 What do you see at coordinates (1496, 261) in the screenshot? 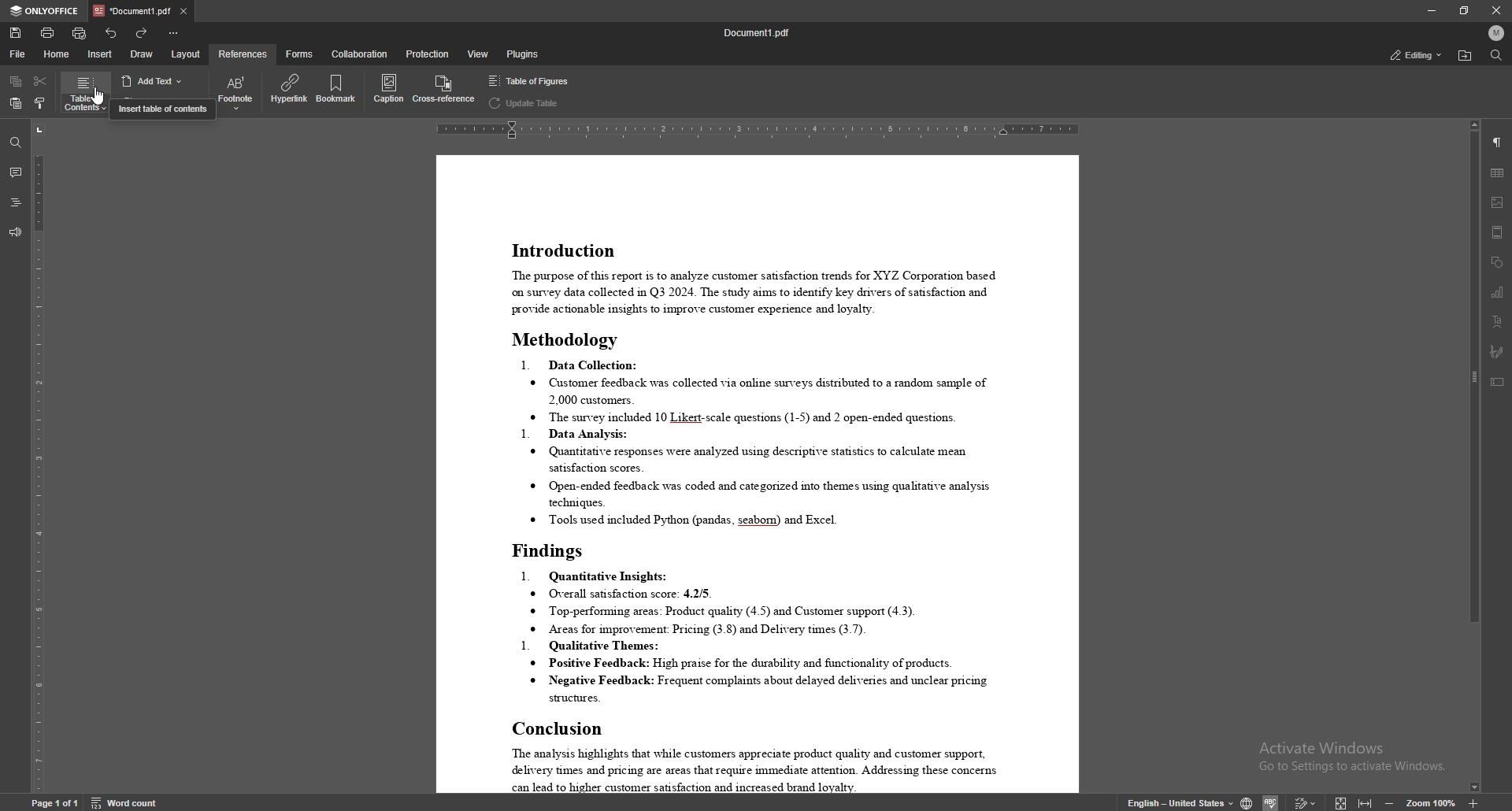
I see `shapes` at bounding box center [1496, 261].